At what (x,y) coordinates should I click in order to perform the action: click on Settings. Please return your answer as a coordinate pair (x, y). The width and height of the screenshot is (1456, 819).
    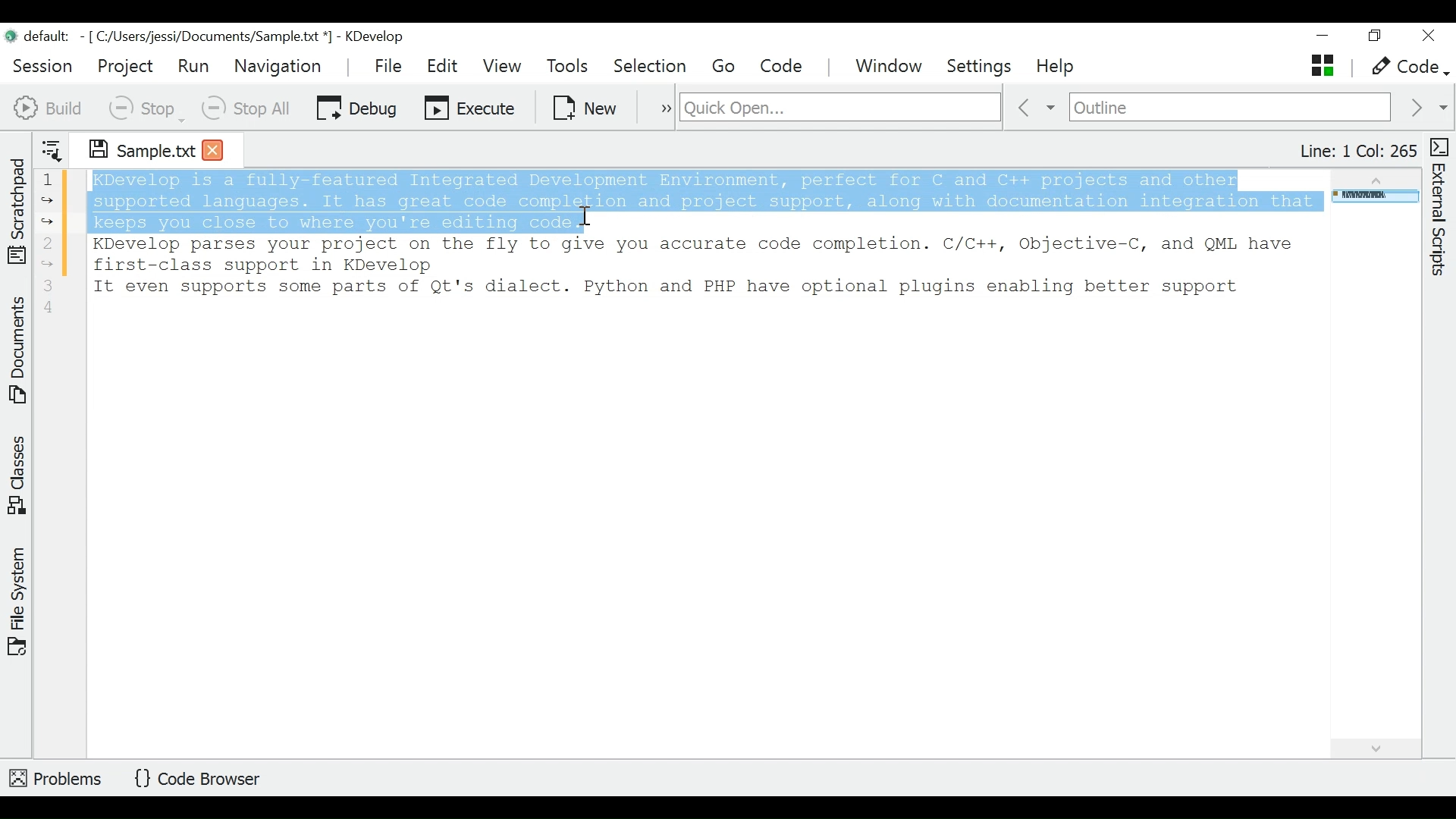
    Looking at the image, I should click on (984, 67).